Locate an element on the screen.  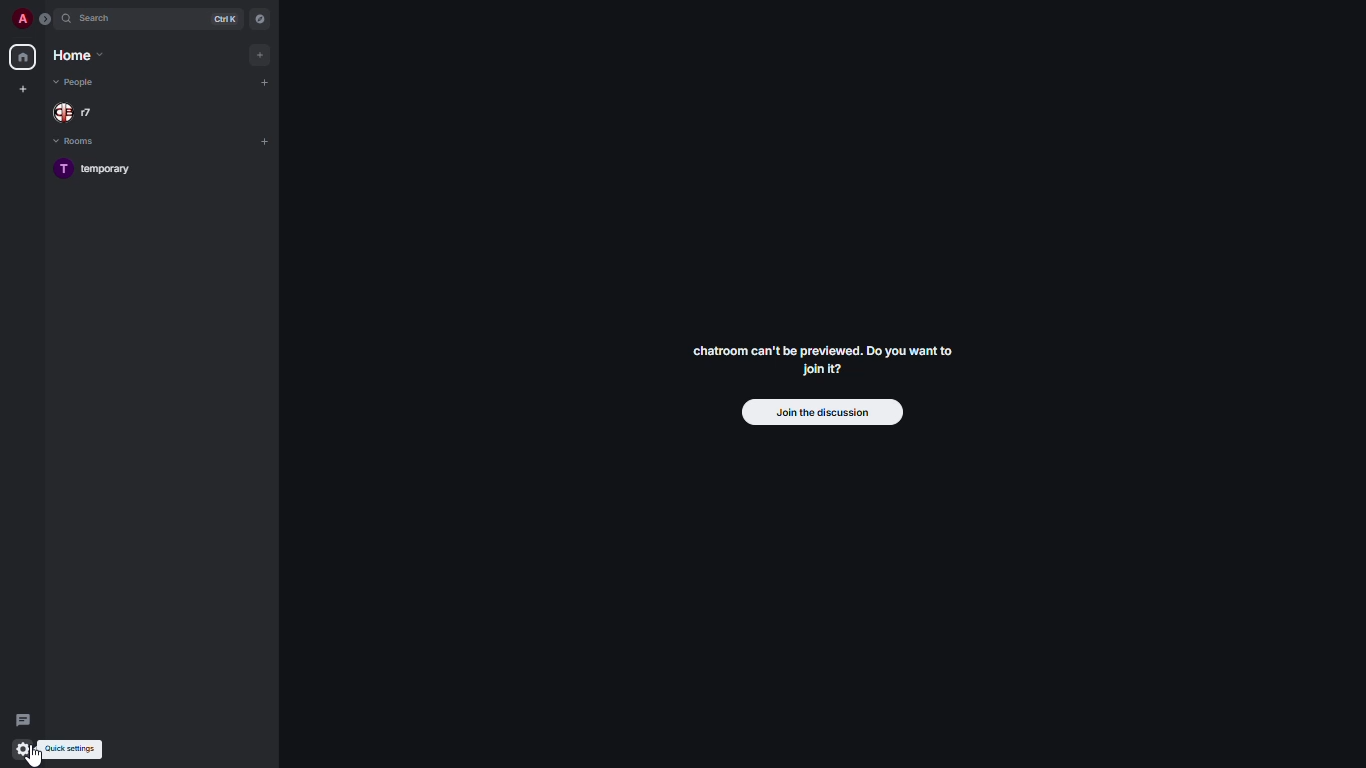
profile is located at coordinates (21, 20).